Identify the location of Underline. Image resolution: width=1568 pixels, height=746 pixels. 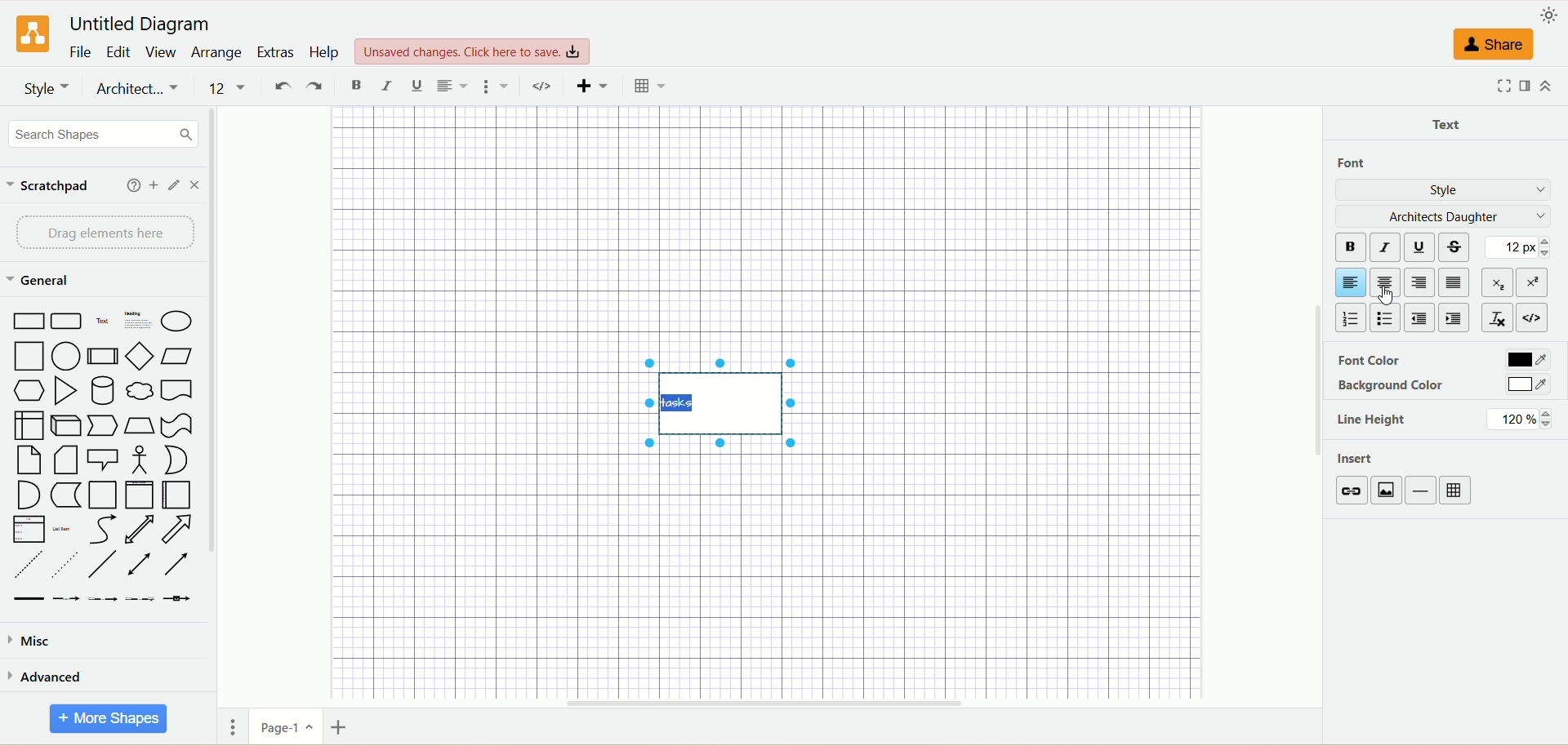
(418, 87).